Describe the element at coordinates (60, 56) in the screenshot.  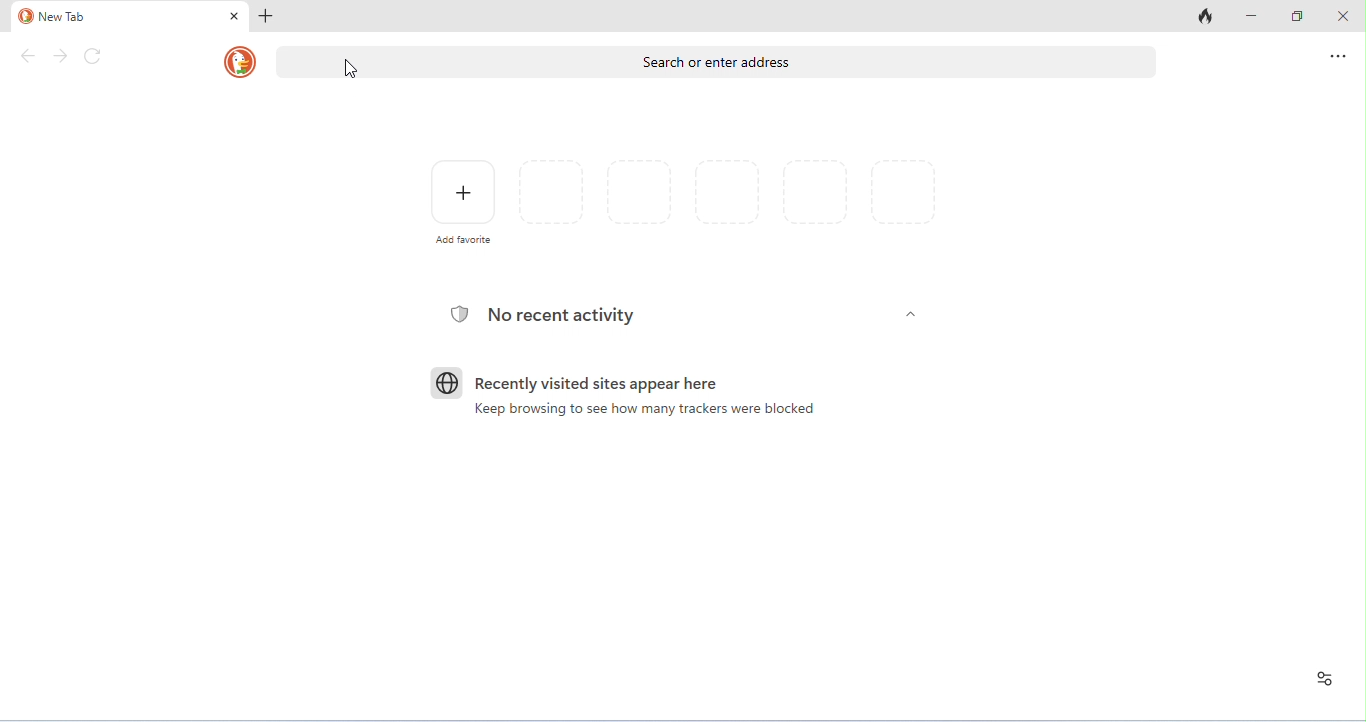
I see `forward` at that location.